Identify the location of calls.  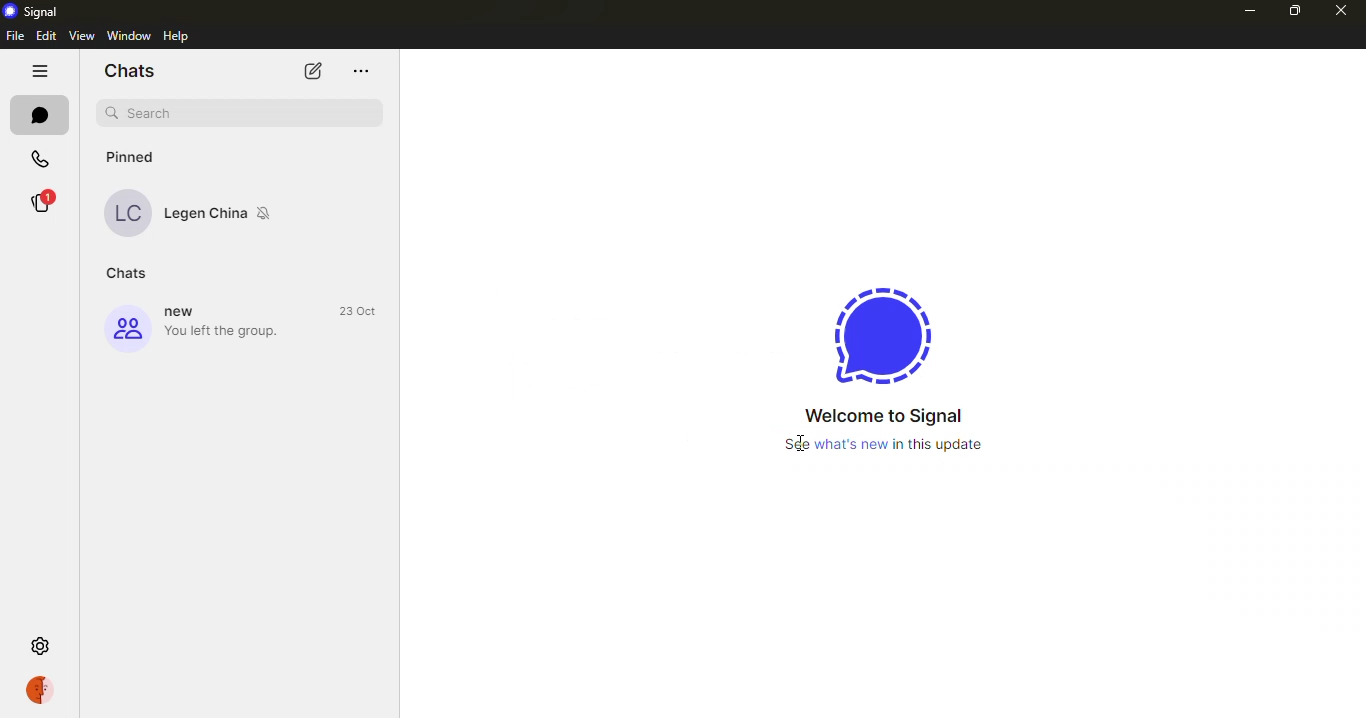
(40, 158).